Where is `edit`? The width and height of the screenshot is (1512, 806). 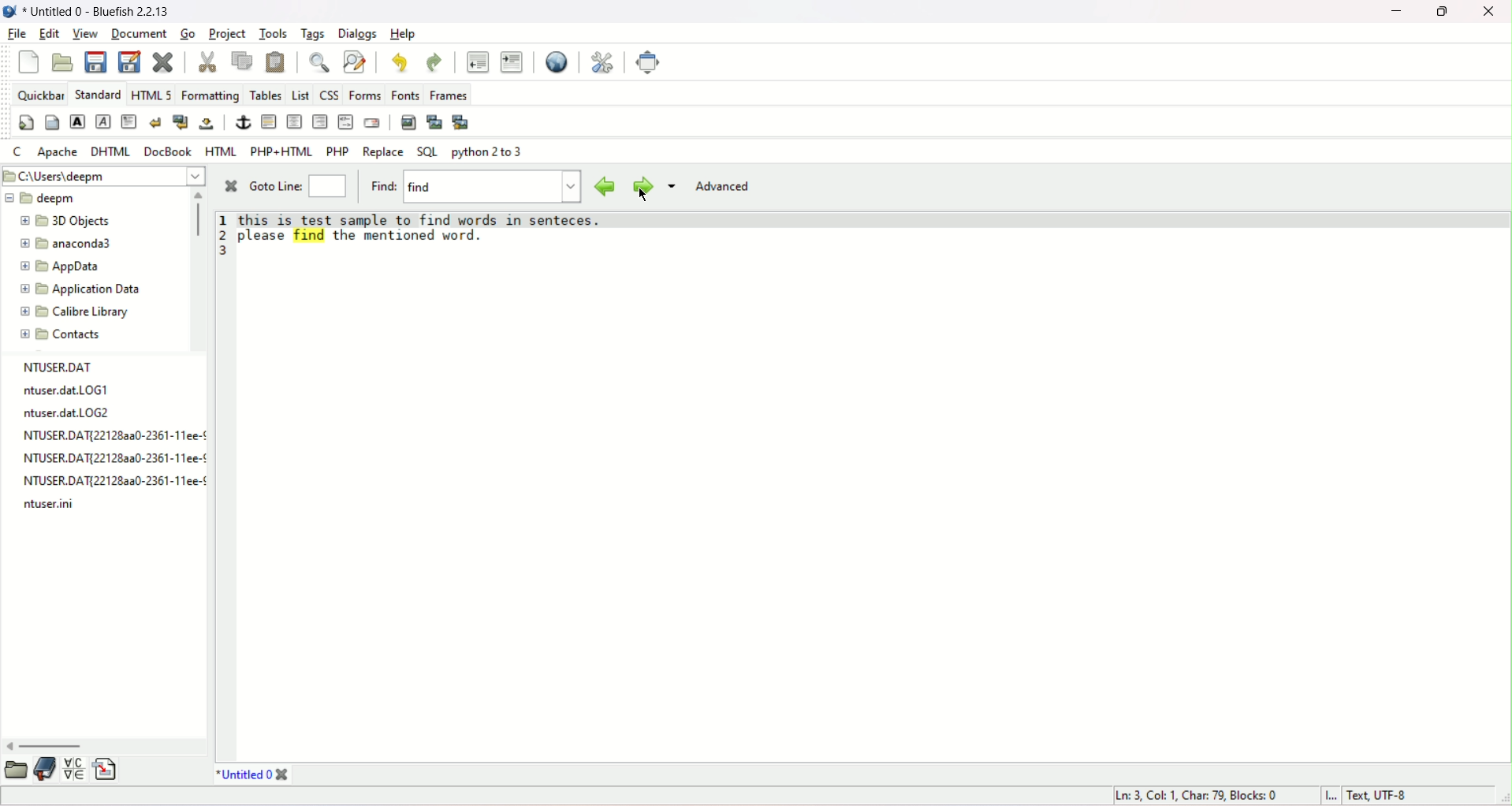 edit is located at coordinates (51, 32).